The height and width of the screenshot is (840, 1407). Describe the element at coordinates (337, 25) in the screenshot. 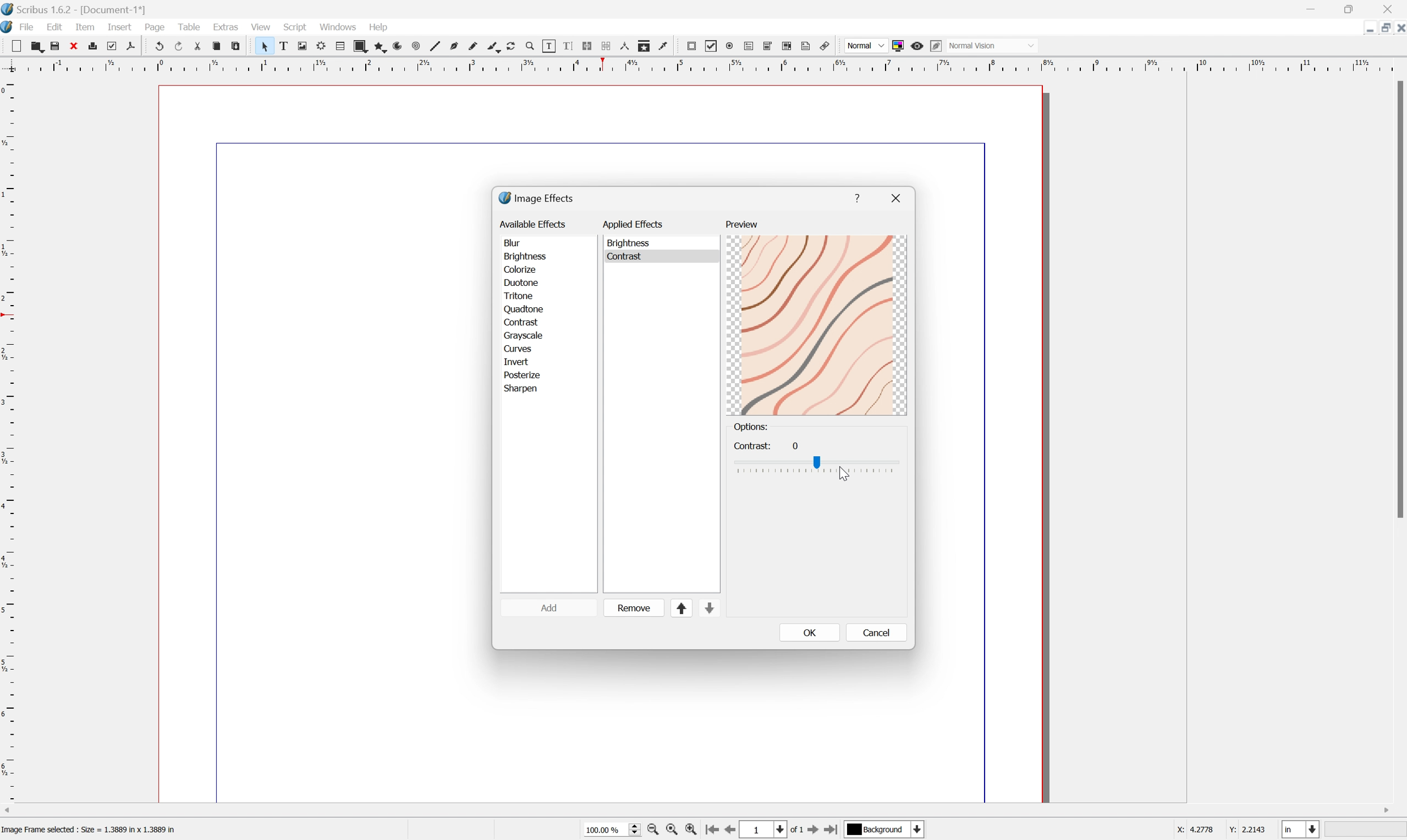

I see `Windows` at that location.